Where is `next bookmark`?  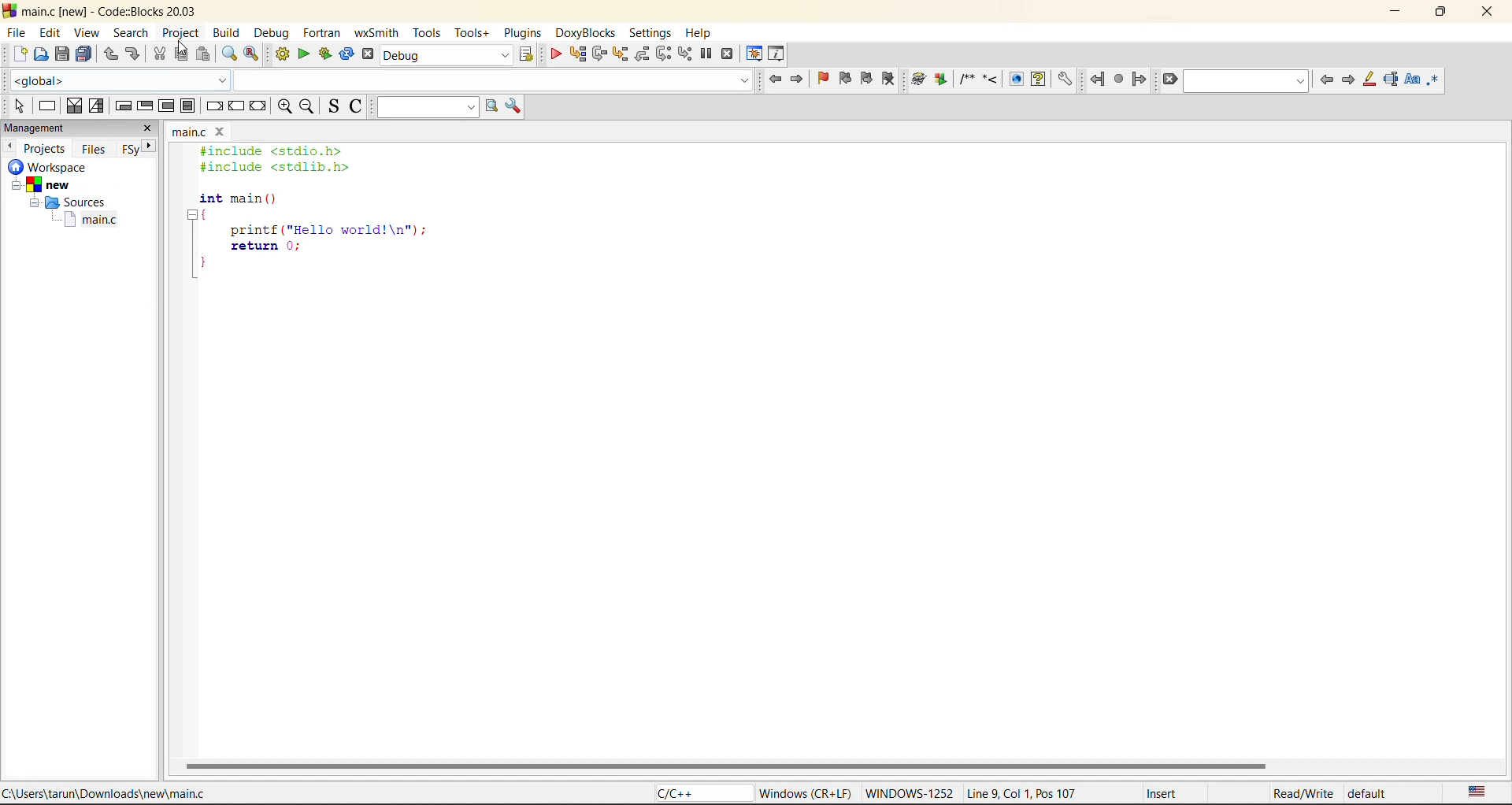
next bookmark is located at coordinates (865, 77).